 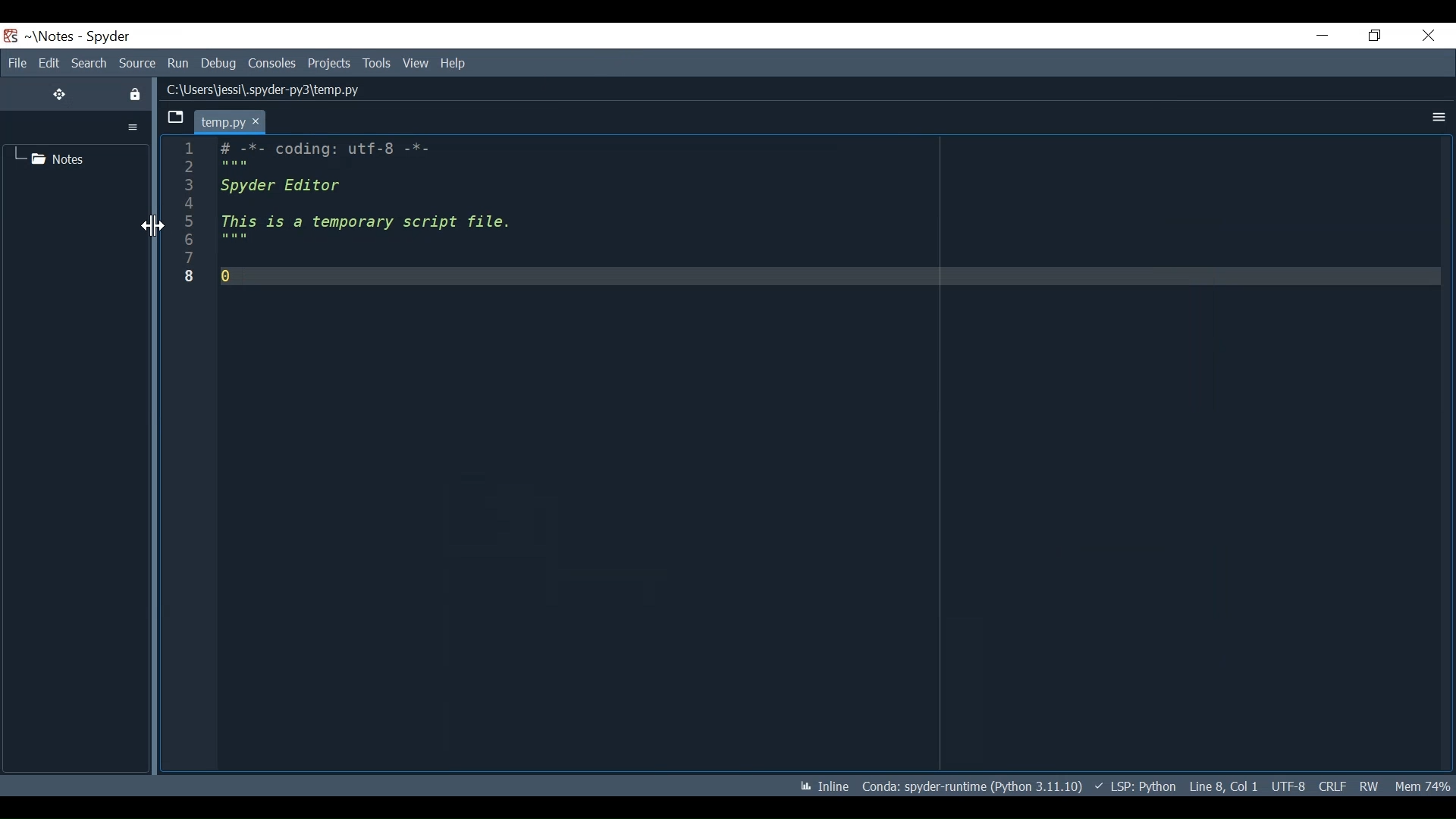 What do you see at coordinates (416, 64) in the screenshot?
I see `View` at bounding box center [416, 64].